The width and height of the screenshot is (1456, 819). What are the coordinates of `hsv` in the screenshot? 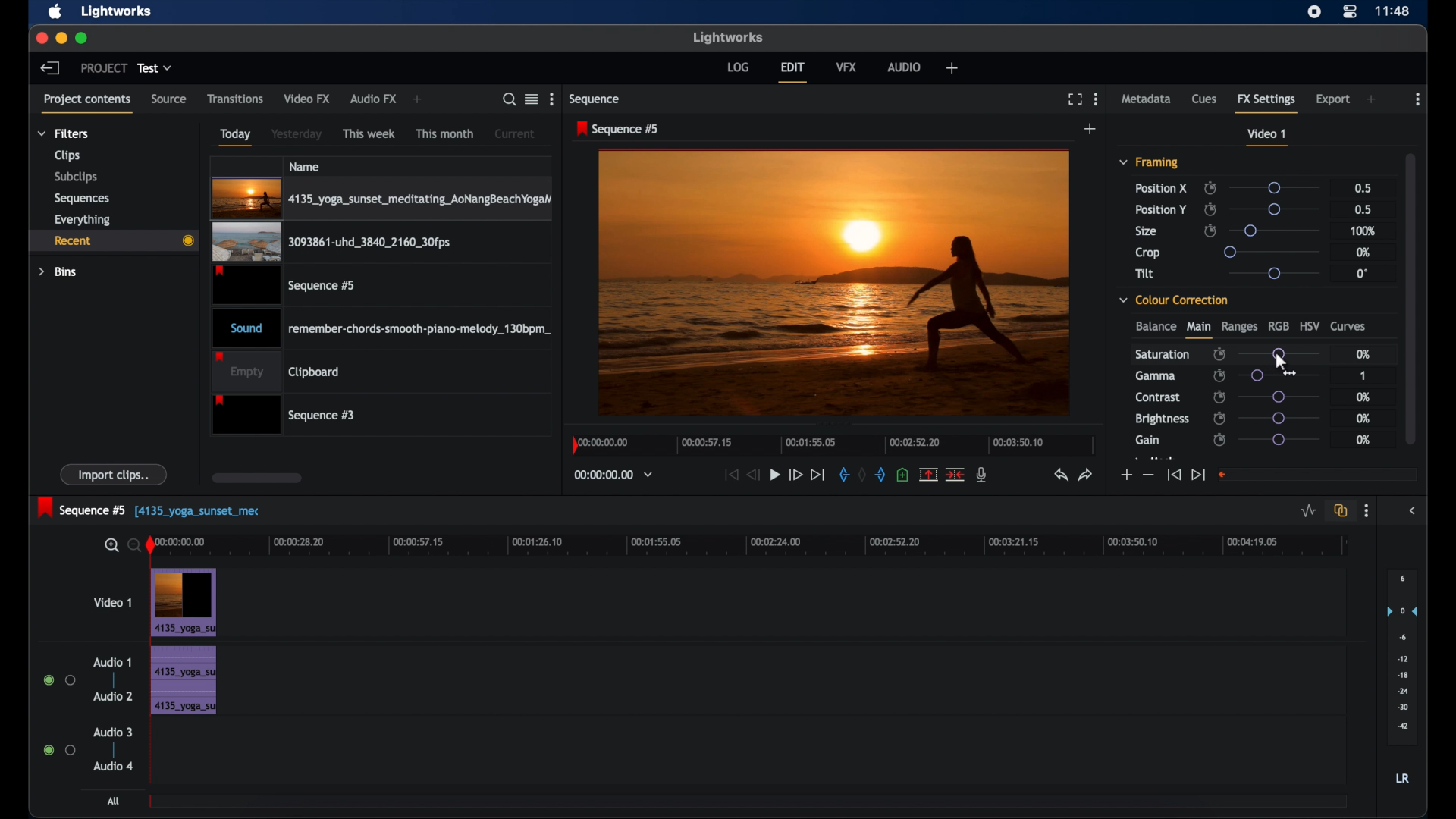 It's located at (1310, 325).